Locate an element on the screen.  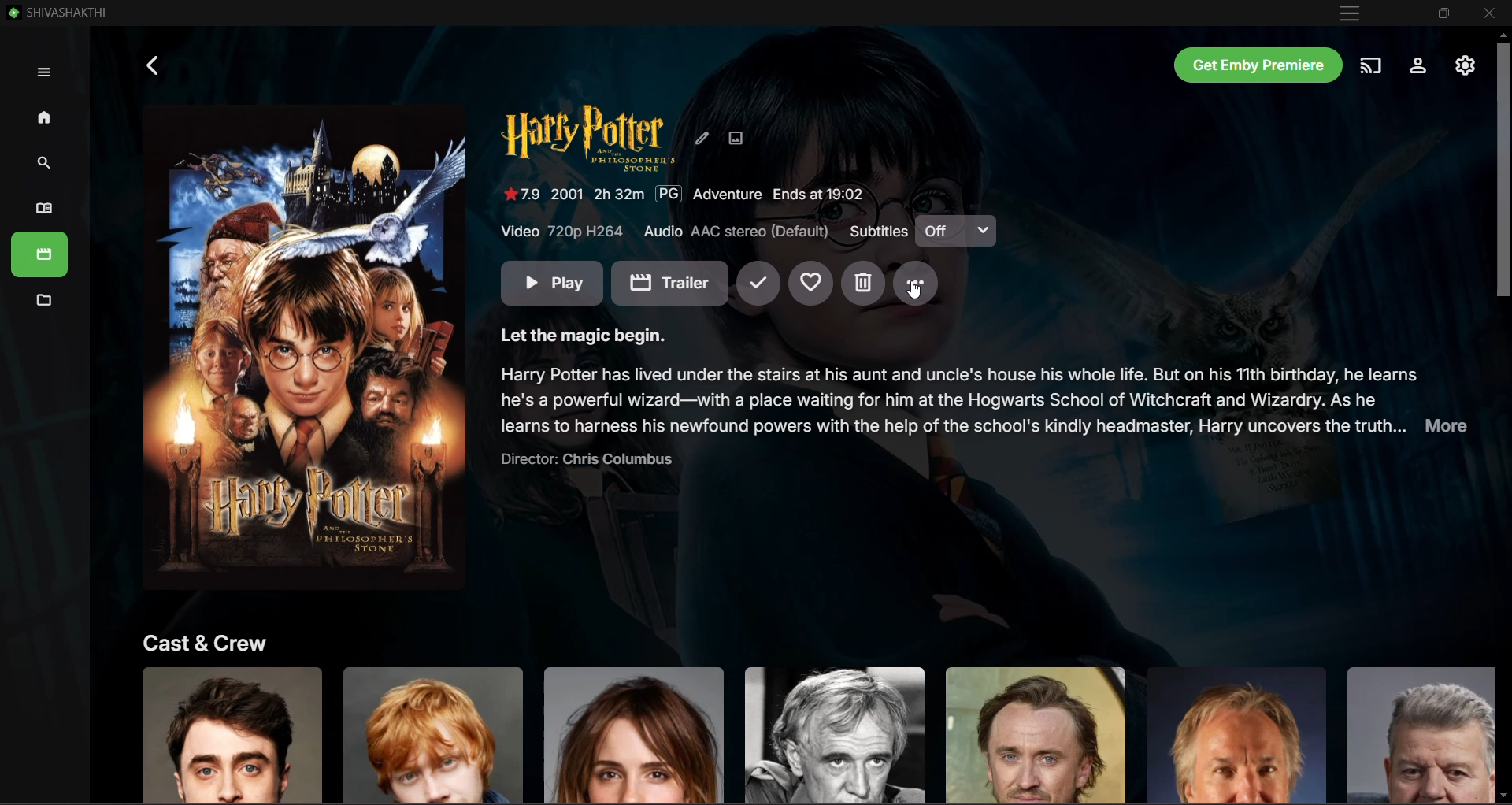
Movie Title is located at coordinates (588, 138).